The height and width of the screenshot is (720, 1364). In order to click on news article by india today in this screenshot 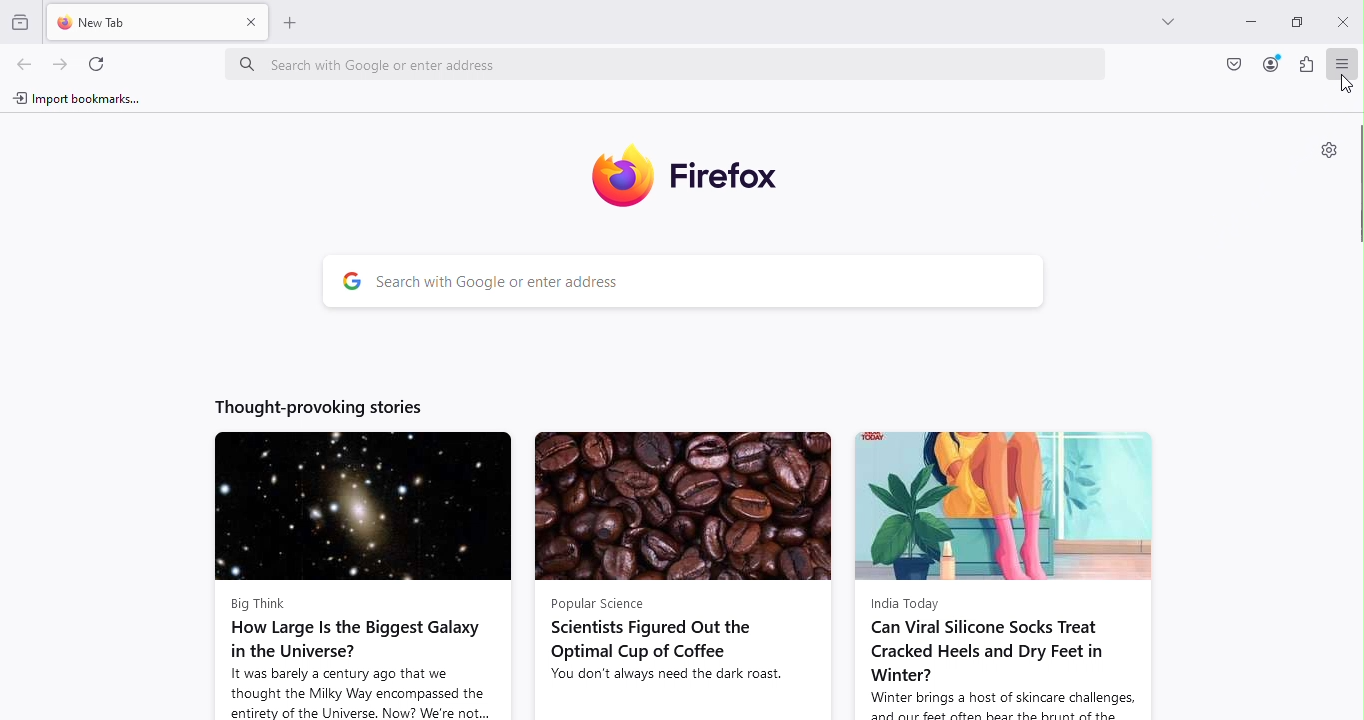, I will do `click(1003, 574)`.